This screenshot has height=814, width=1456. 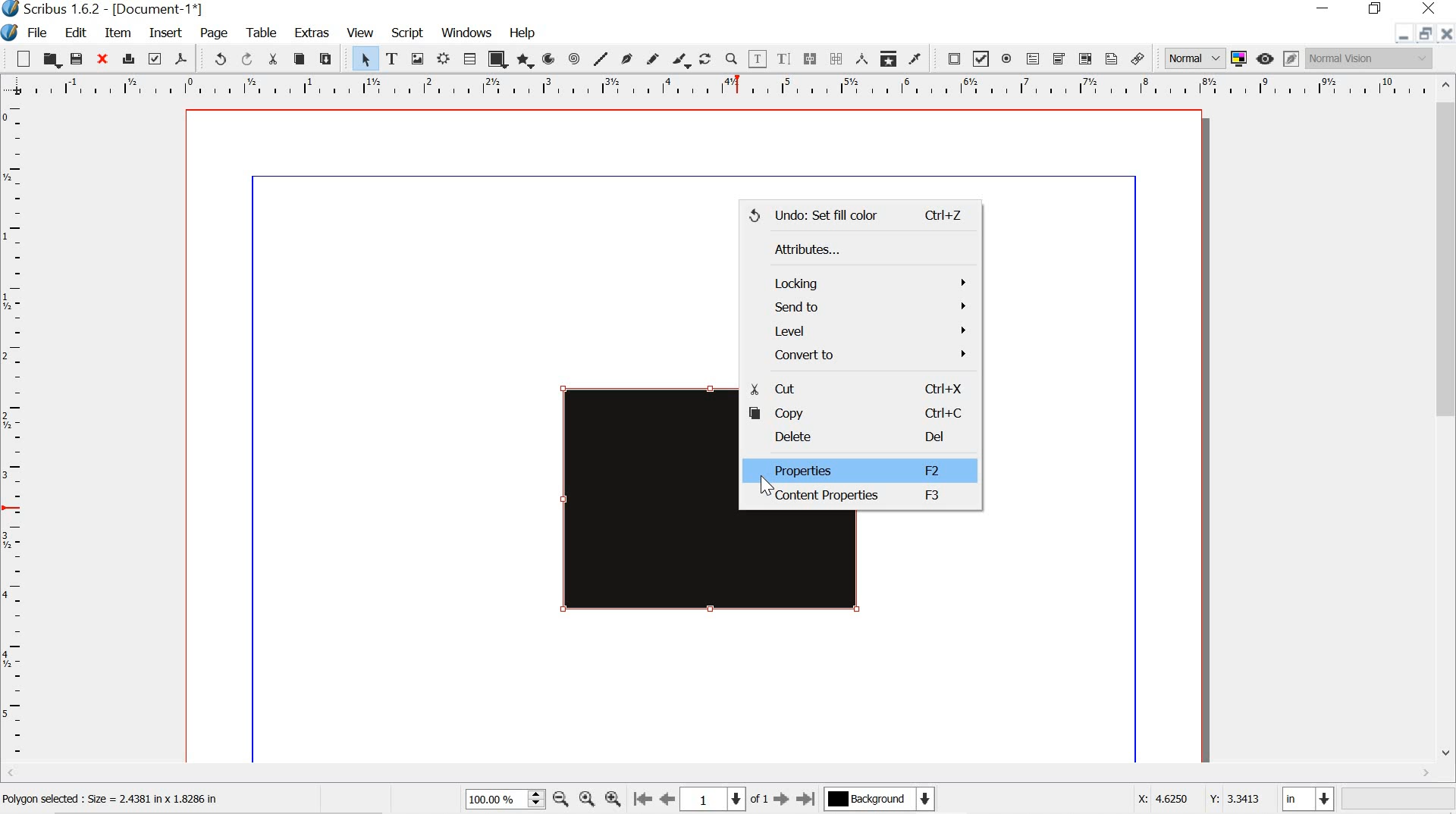 What do you see at coordinates (863, 358) in the screenshot?
I see `convert to` at bounding box center [863, 358].